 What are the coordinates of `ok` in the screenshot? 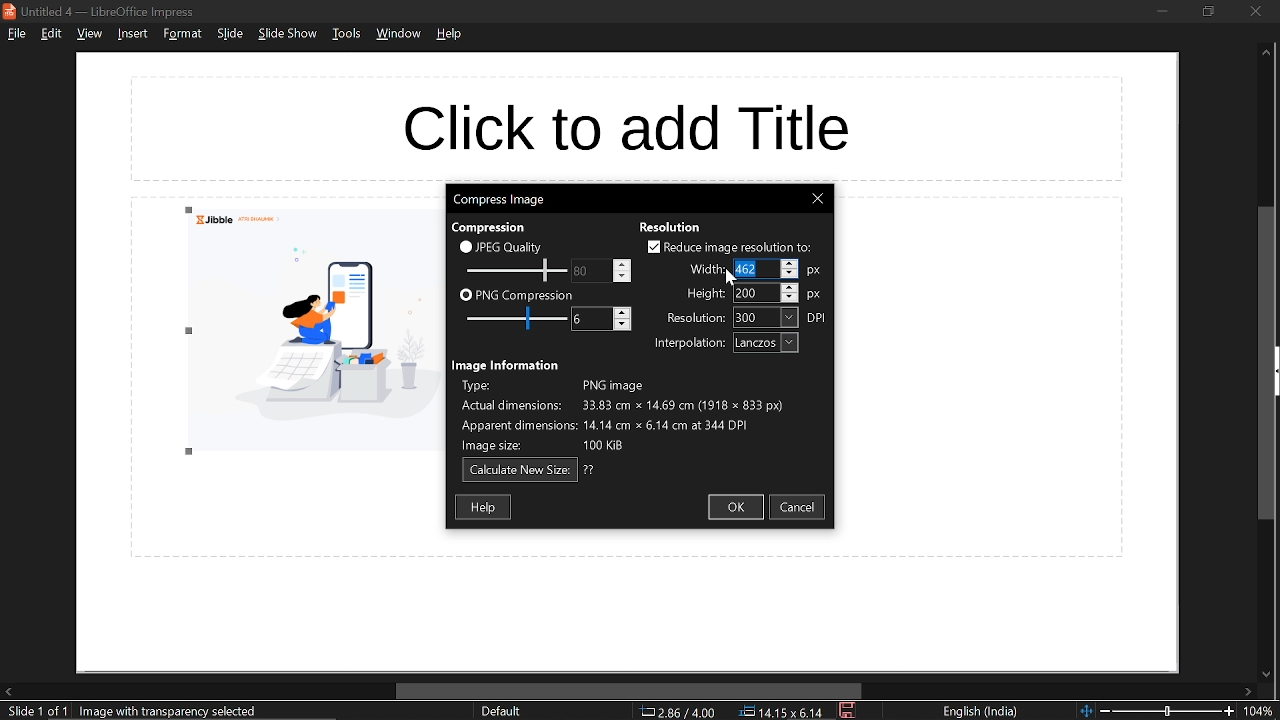 It's located at (735, 507).